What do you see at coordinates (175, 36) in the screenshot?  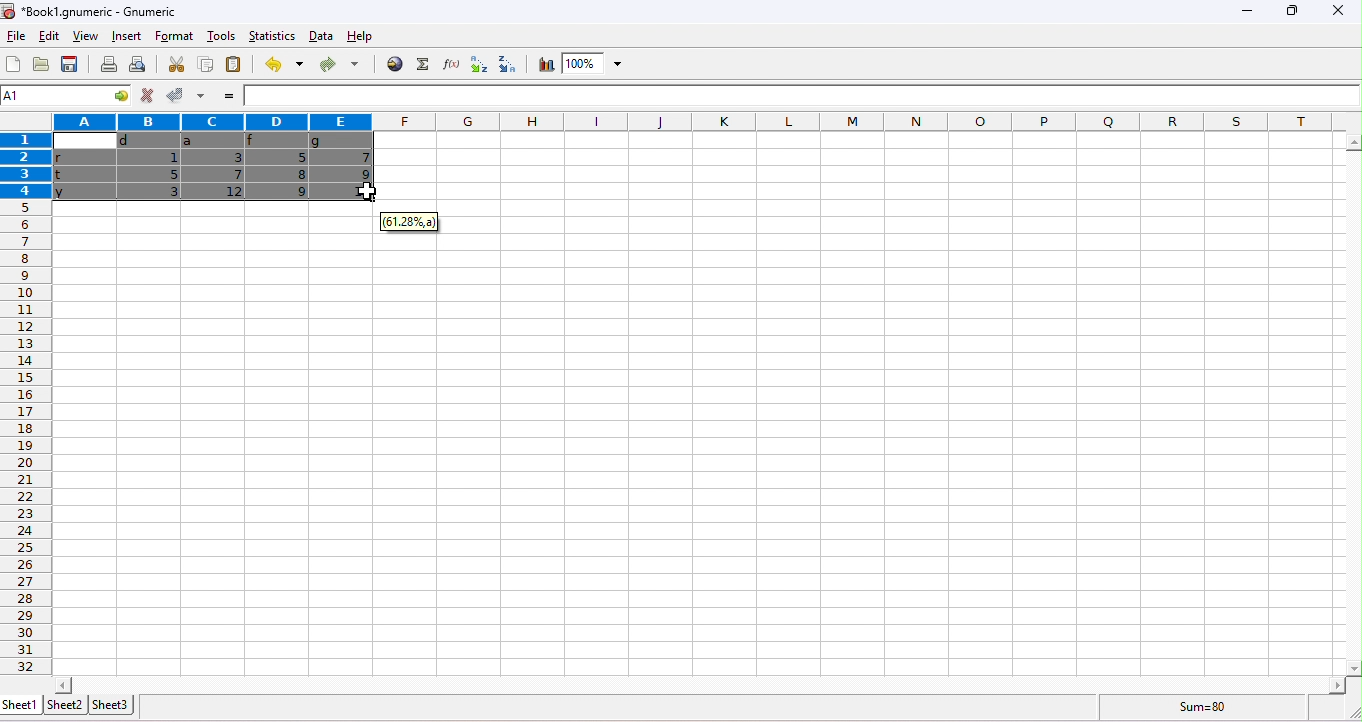 I see `format` at bounding box center [175, 36].